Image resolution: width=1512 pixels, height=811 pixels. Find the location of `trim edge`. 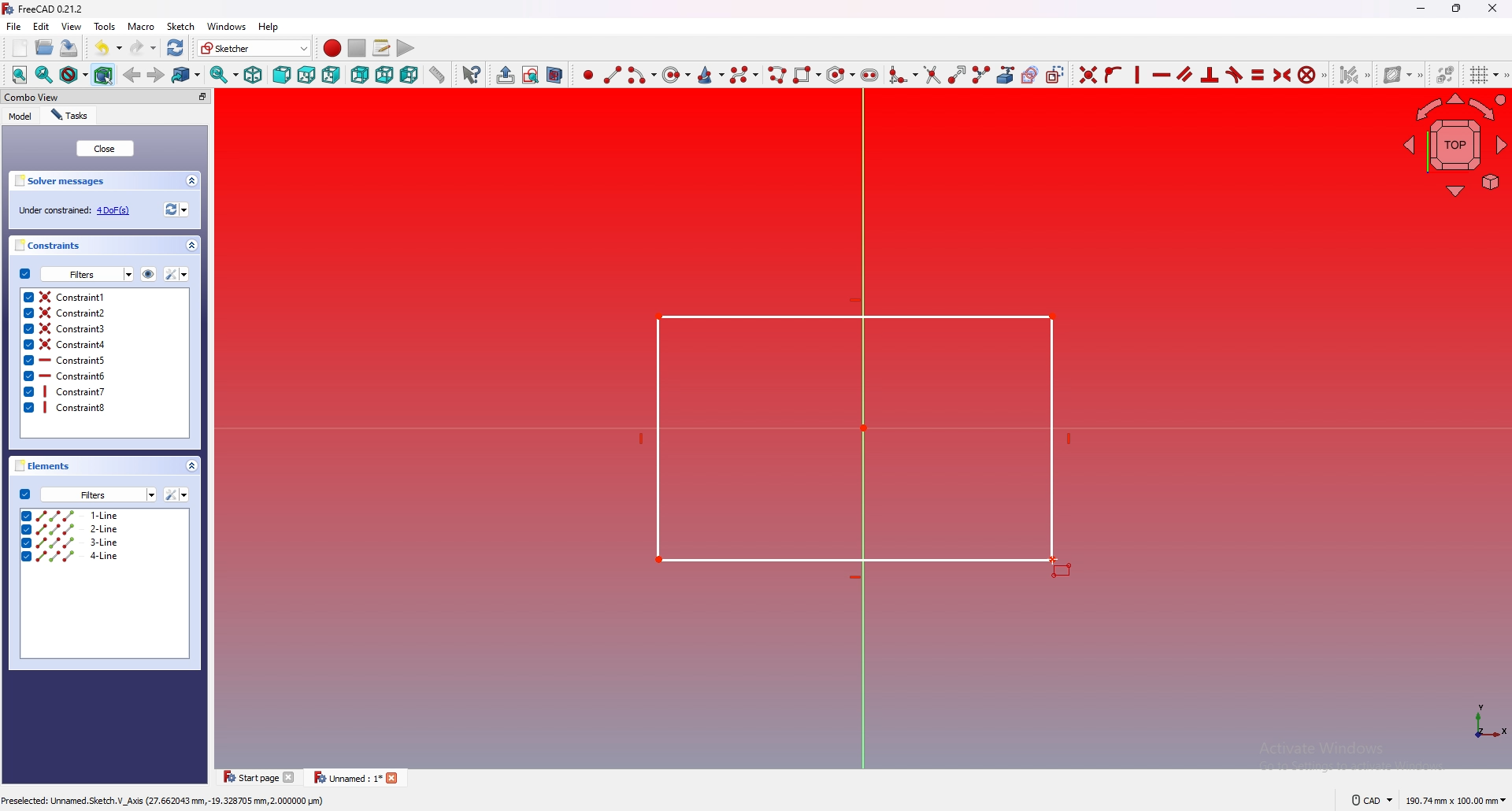

trim edge is located at coordinates (932, 75).